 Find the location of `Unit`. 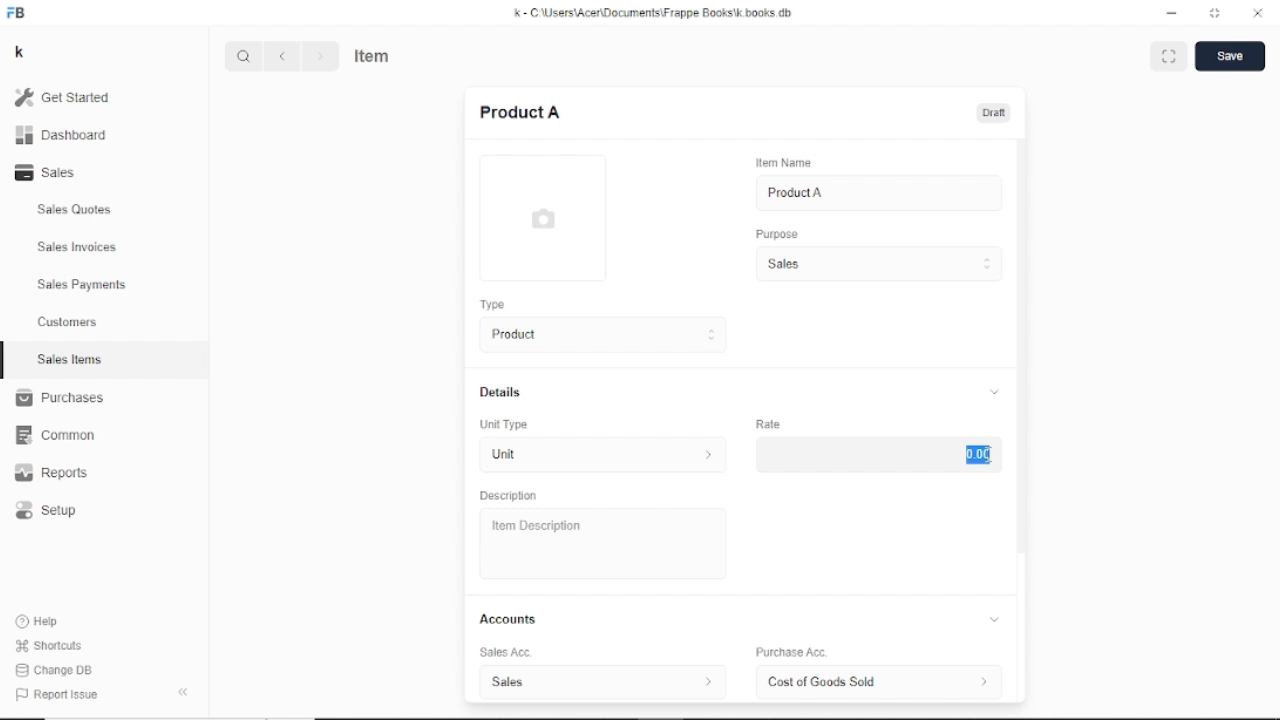

Unit is located at coordinates (598, 456).